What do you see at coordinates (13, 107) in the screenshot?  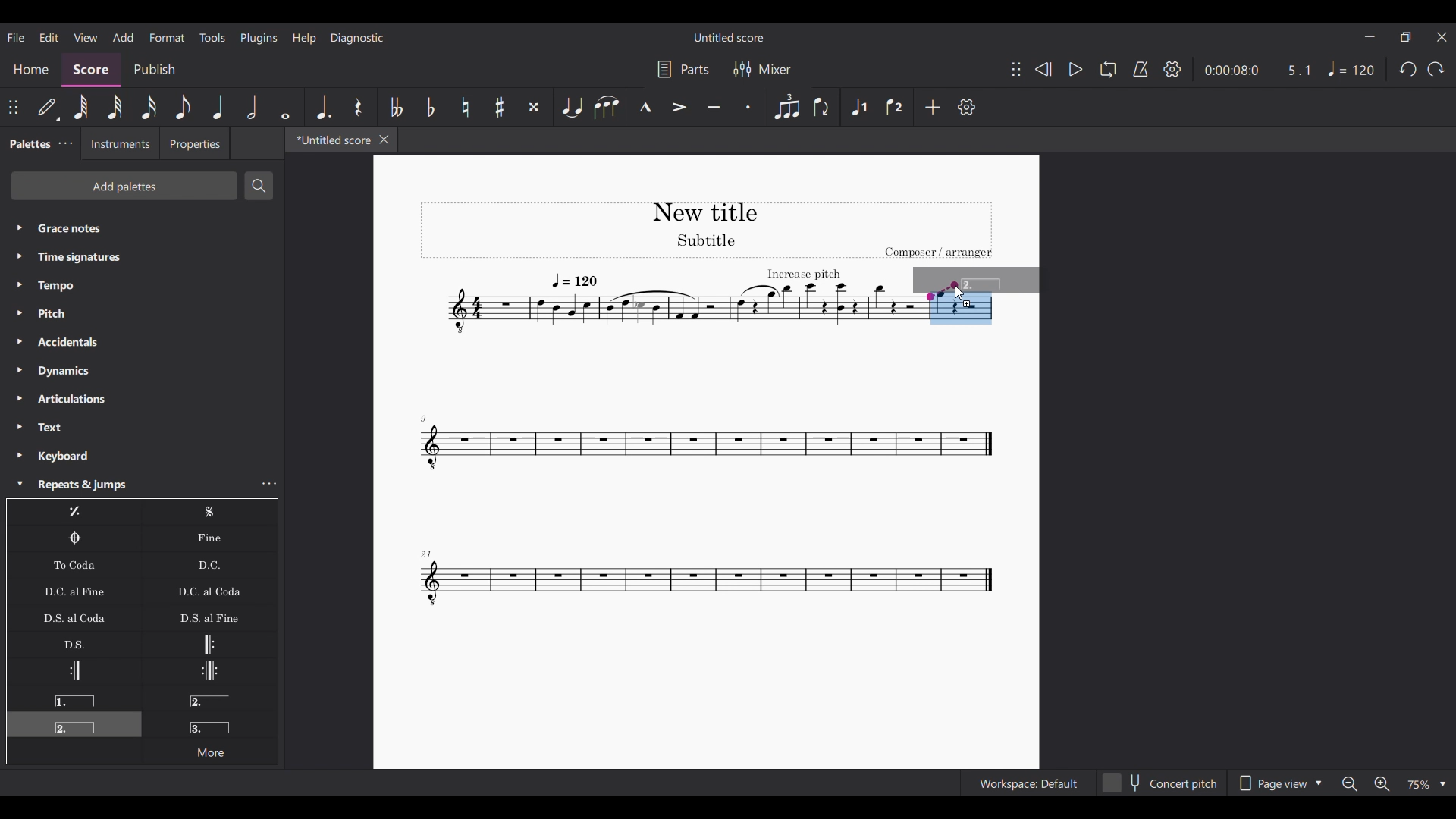 I see `Change position` at bounding box center [13, 107].